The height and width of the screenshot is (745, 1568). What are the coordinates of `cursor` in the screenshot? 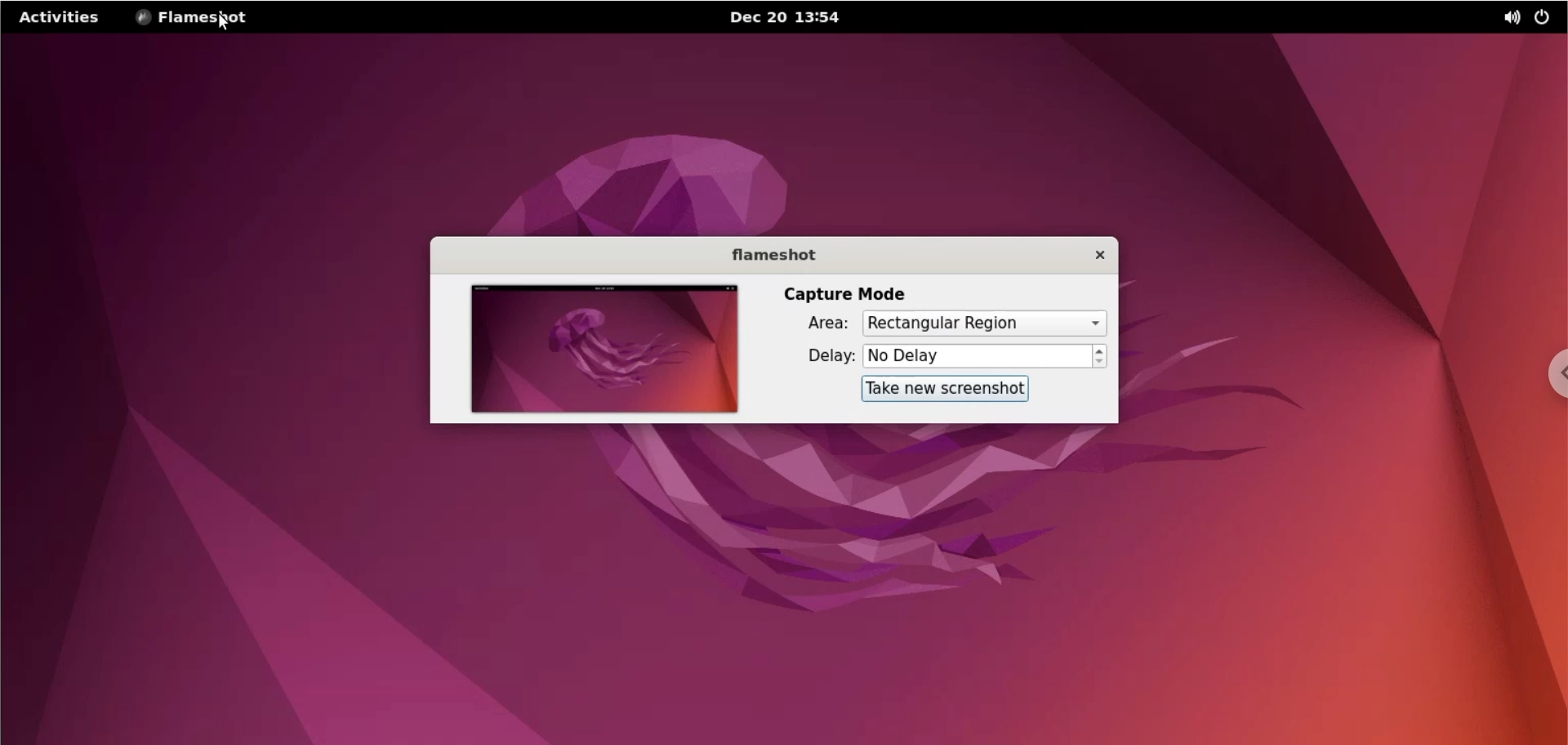 It's located at (221, 20).